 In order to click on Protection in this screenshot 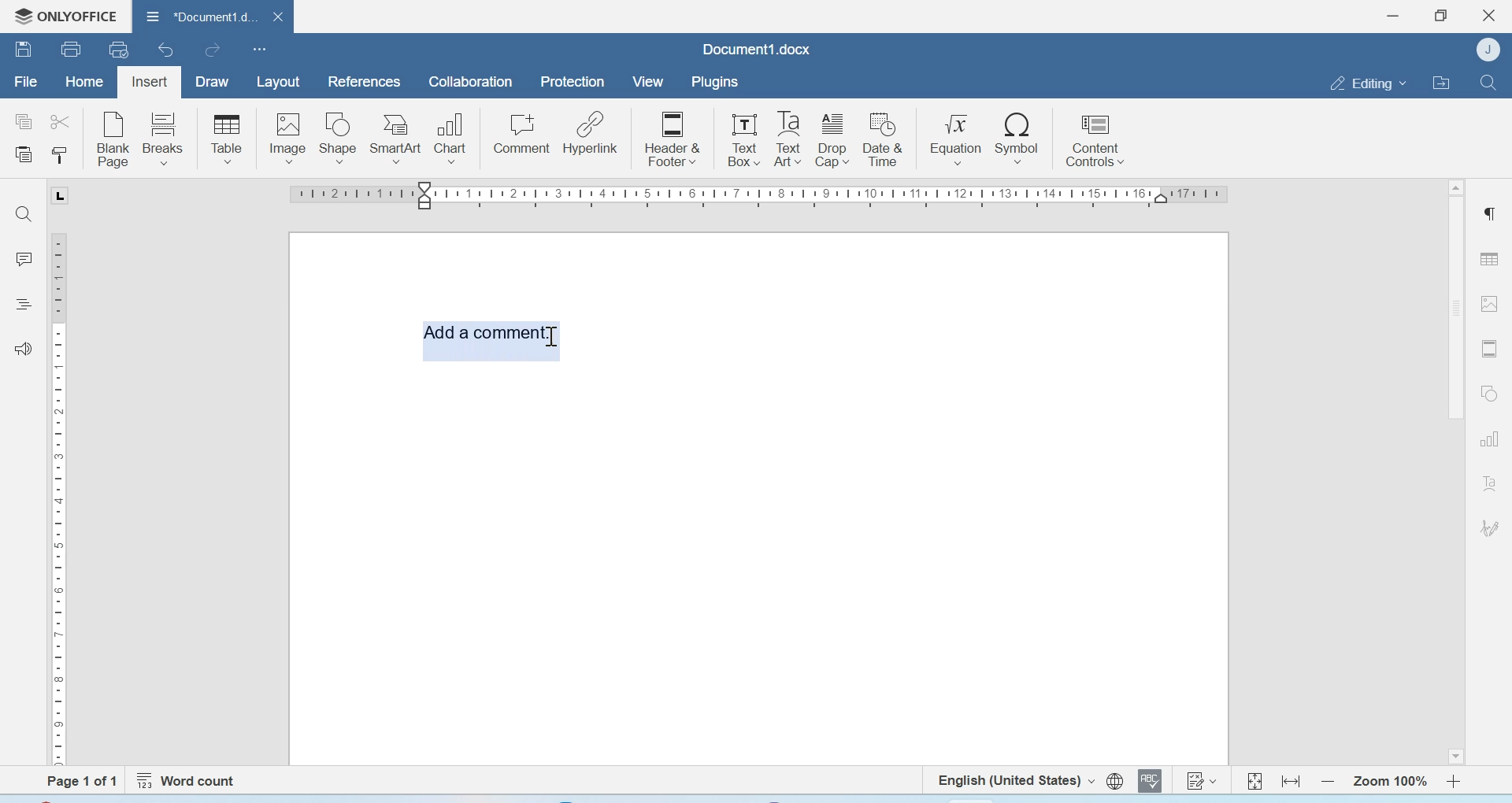, I will do `click(573, 83)`.